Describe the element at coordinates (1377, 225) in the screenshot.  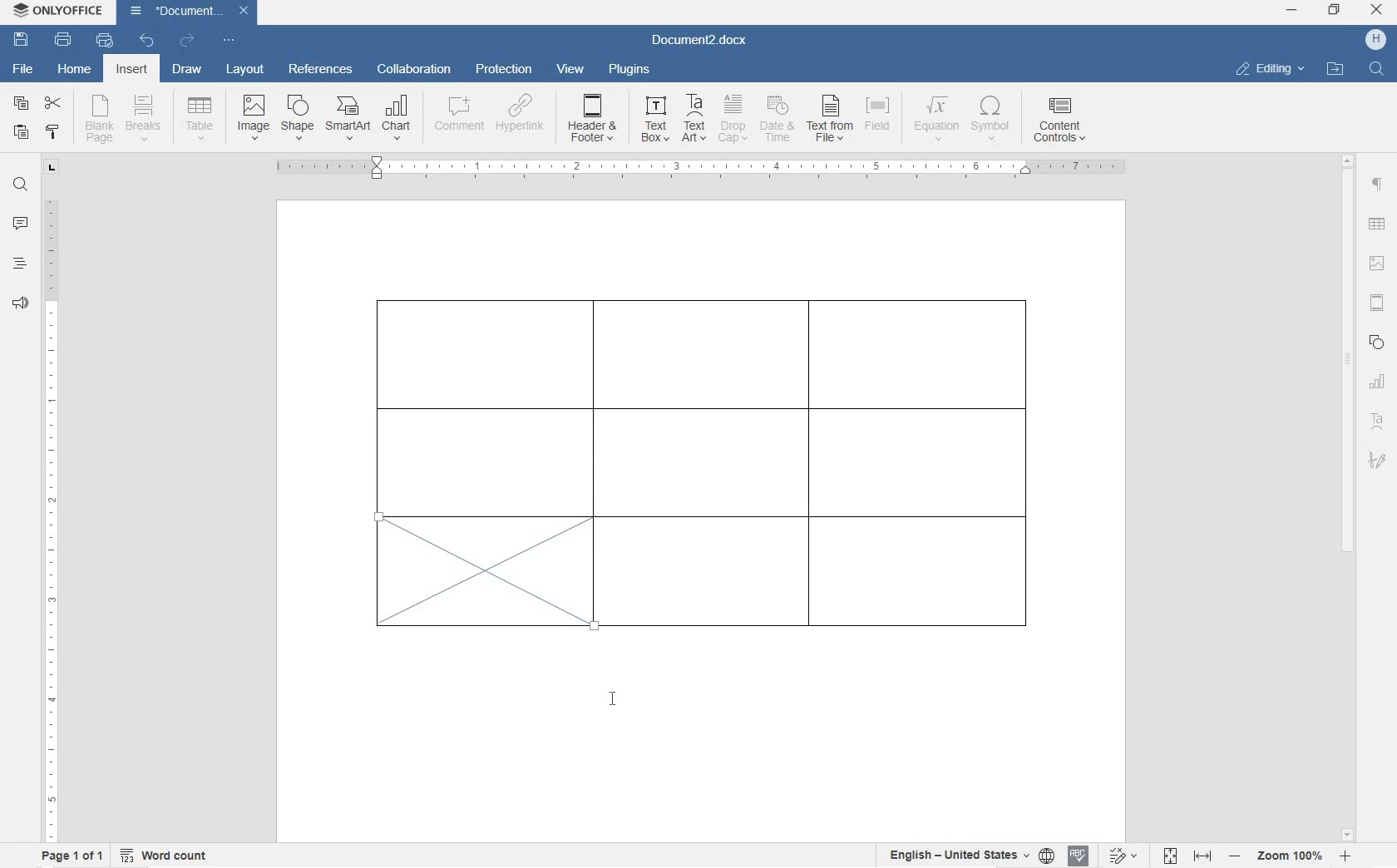
I see `table` at that location.